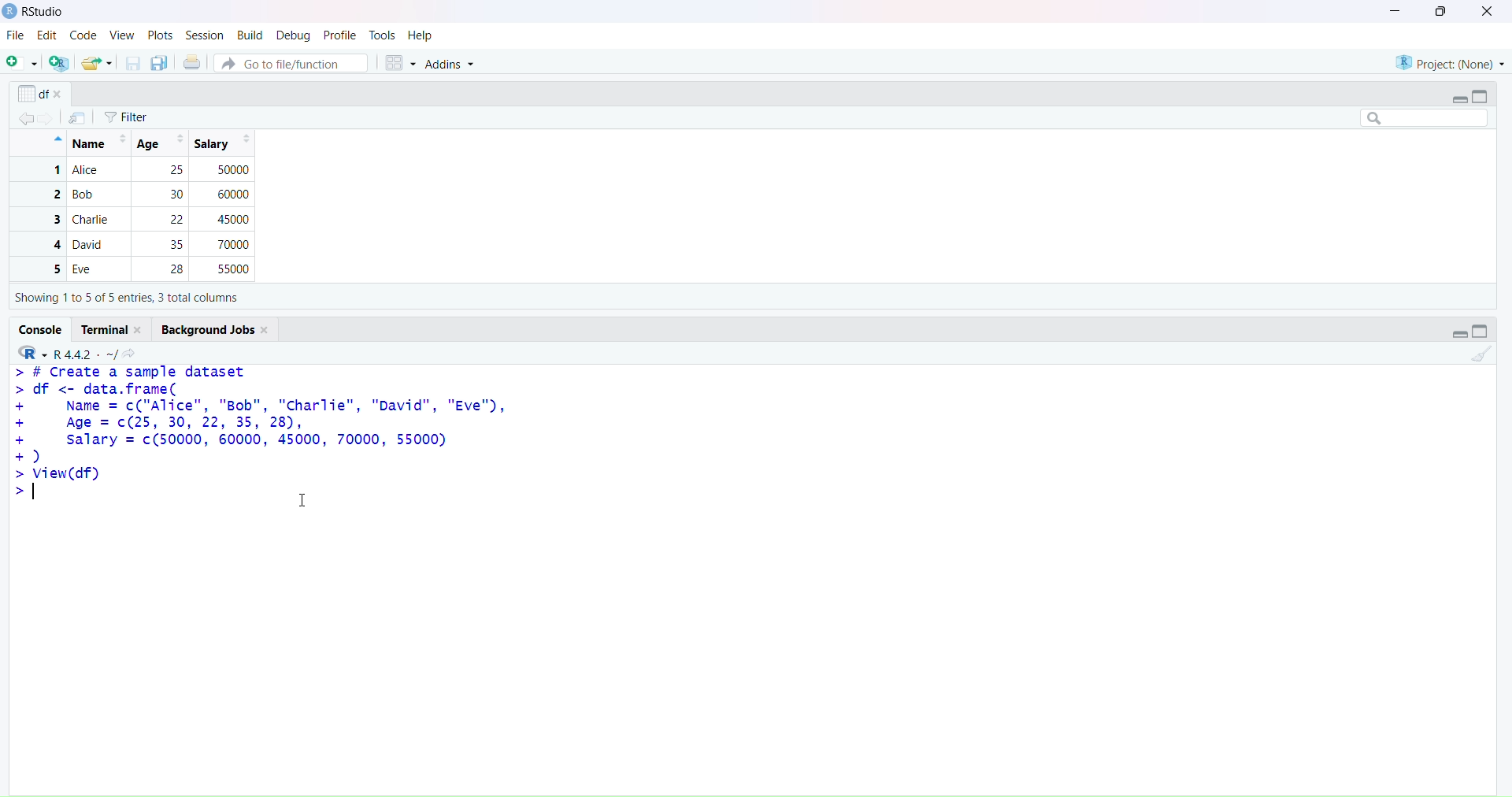  What do you see at coordinates (86, 35) in the screenshot?
I see `code` at bounding box center [86, 35].